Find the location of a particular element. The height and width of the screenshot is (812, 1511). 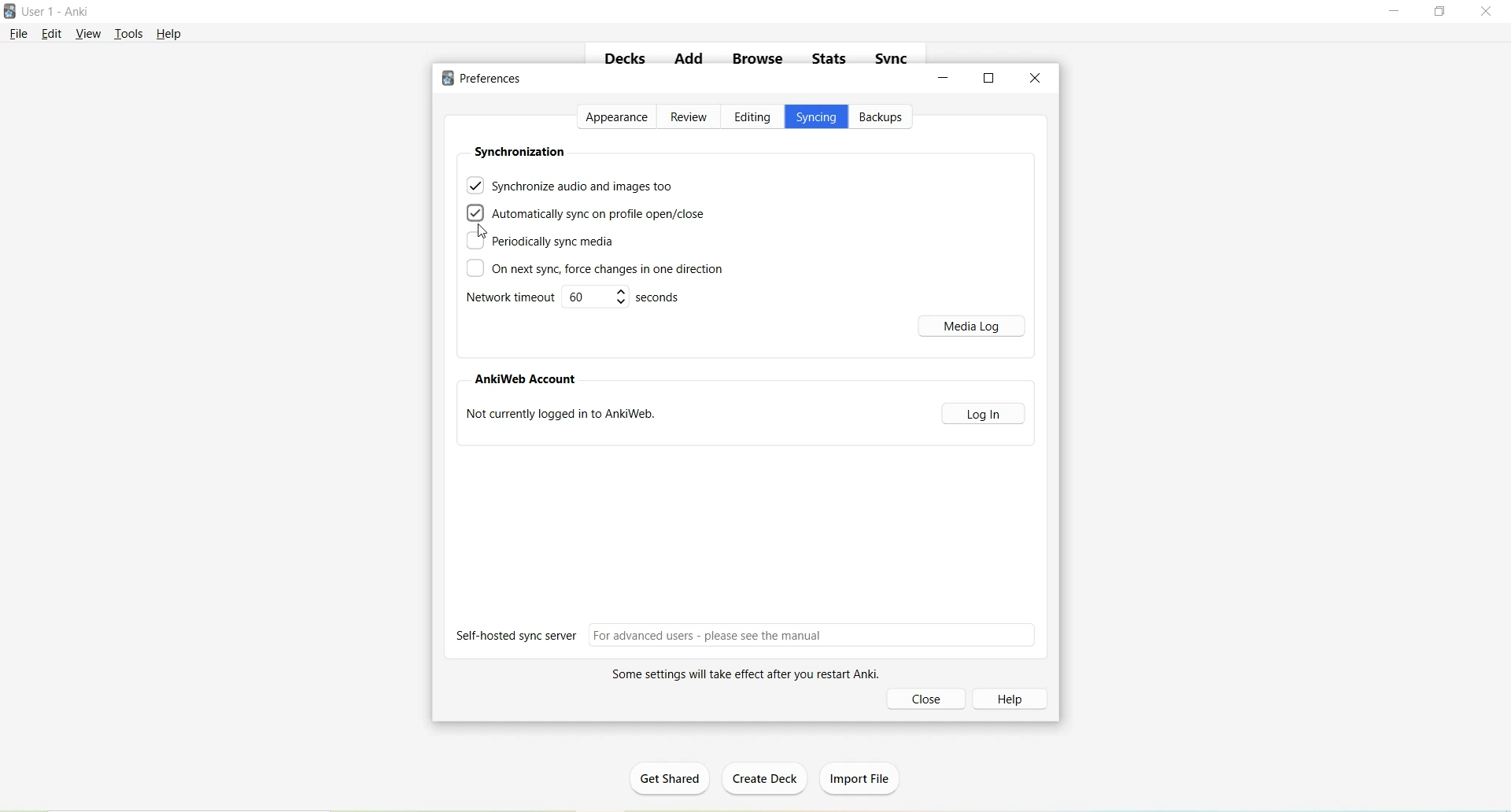

Edit is located at coordinates (54, 34).